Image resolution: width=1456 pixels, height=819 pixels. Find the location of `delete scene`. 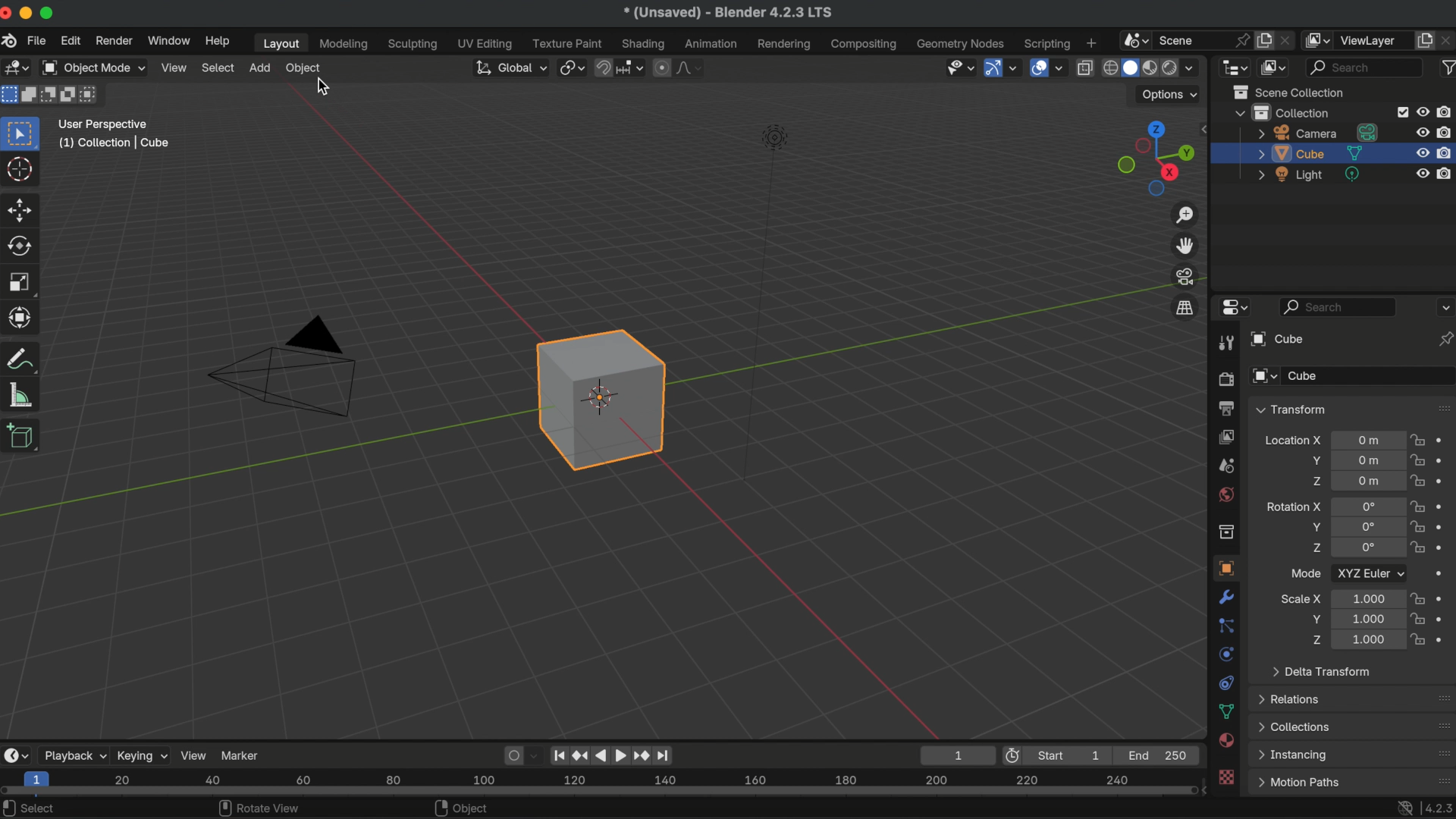

delete scene is located at coordinates (1288, 38).